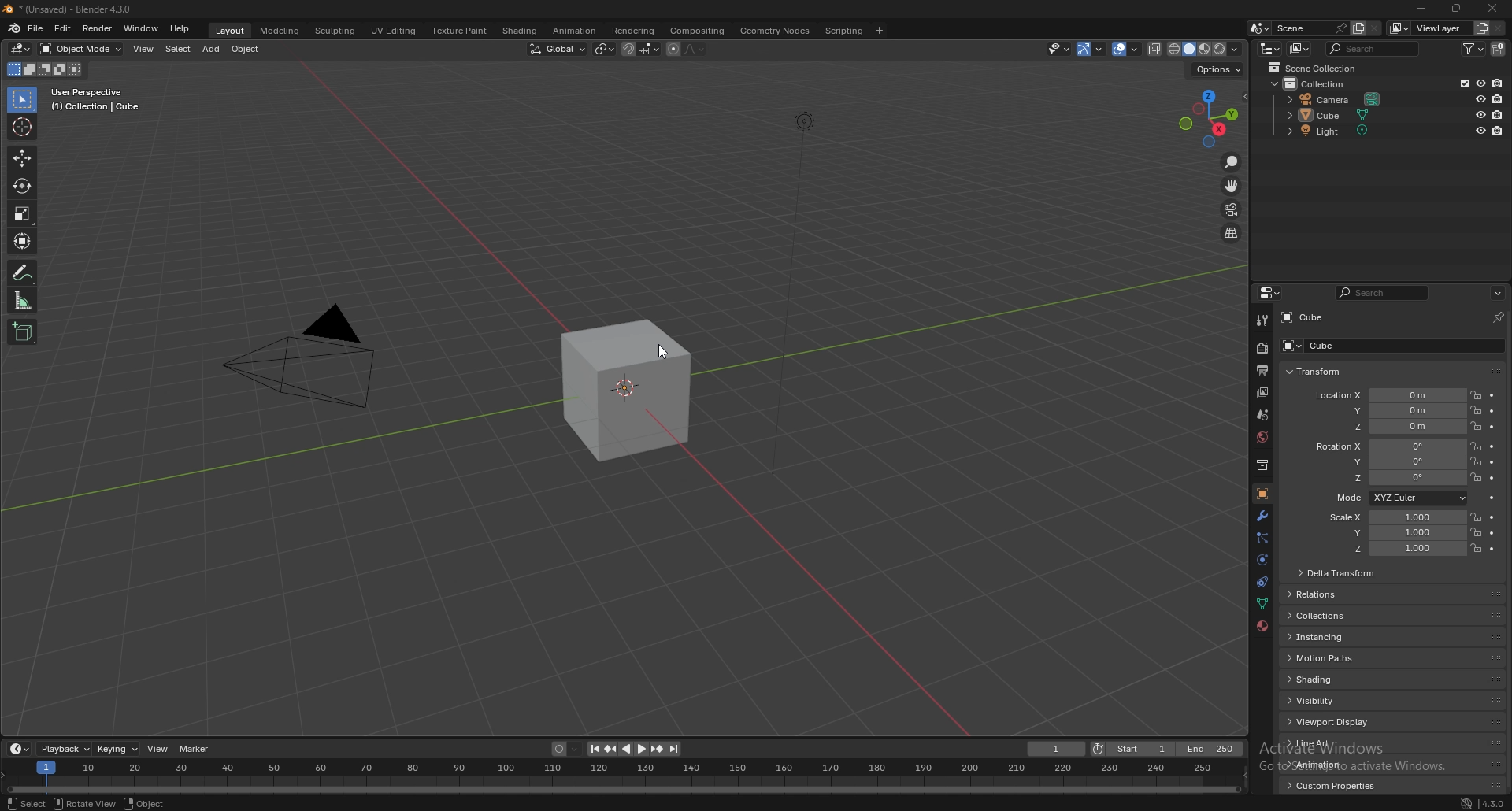  What do you see at coordinates (75, 9) in the screenshot?
I see `title` at bounding box center [75, 9].